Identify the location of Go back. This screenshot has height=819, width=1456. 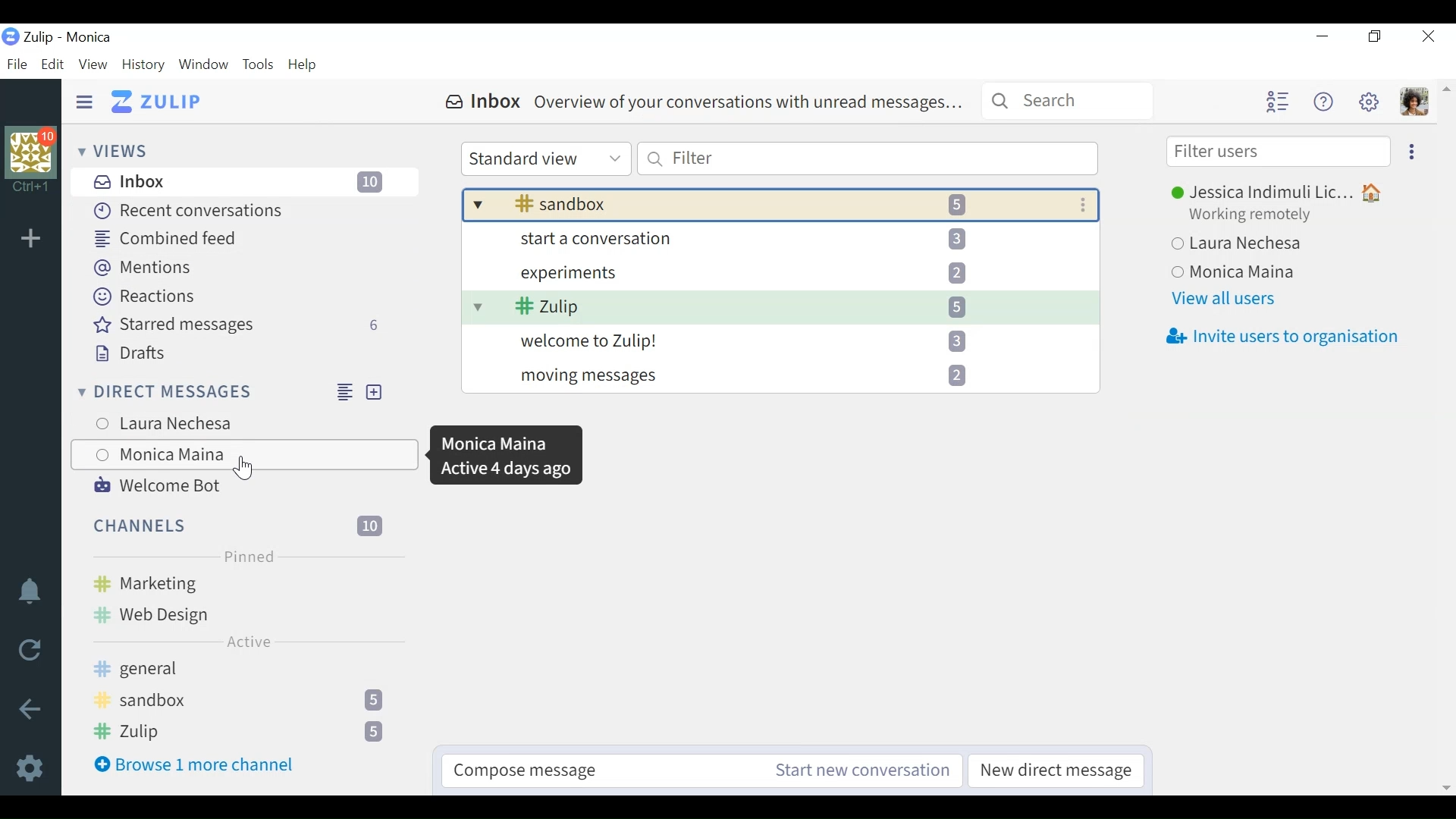
(28, 709).